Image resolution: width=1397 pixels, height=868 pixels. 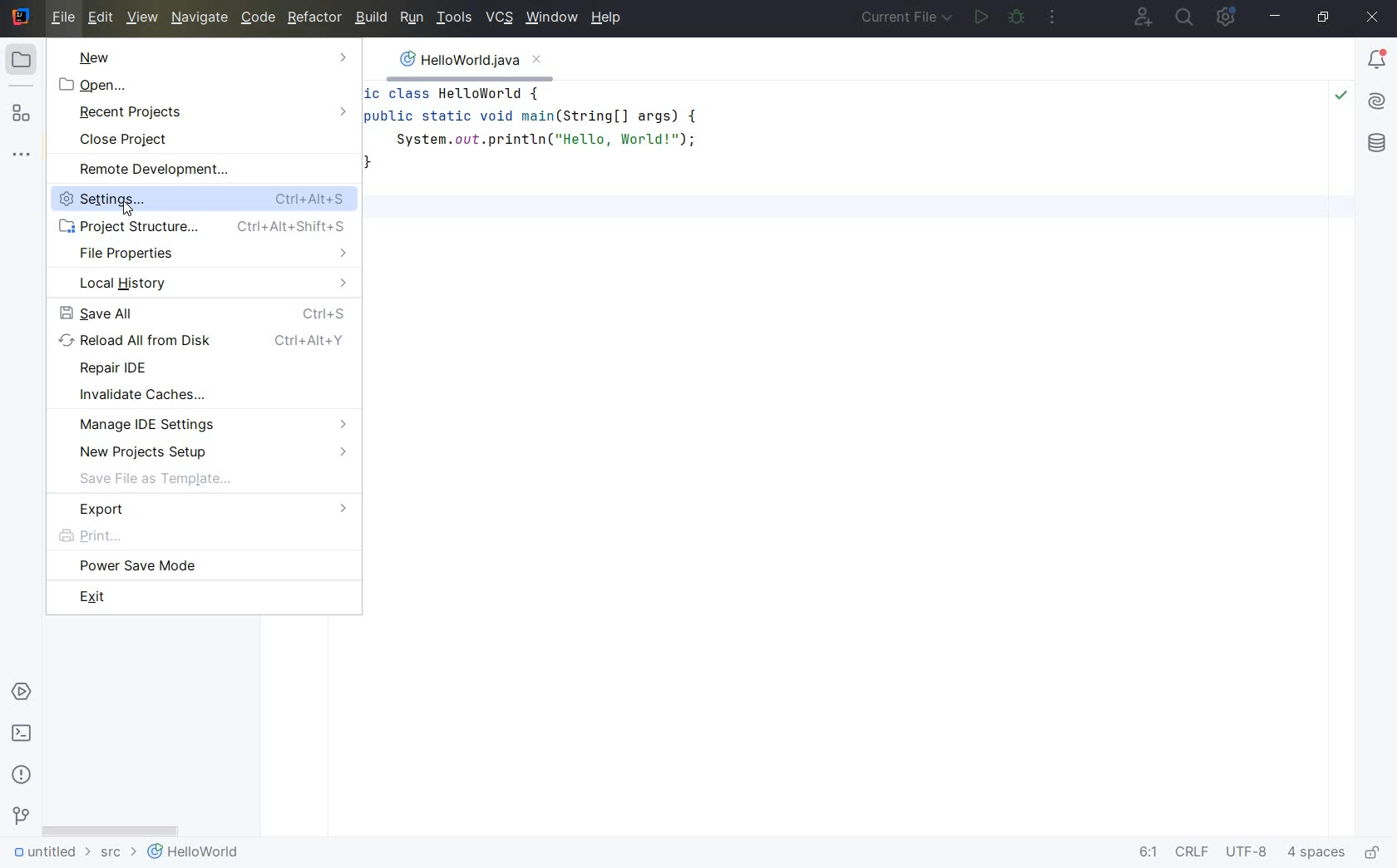 What do you see at coordinates (208, 86) in the screenshot?
I see `OPEN` at bounding box center [208, 86].